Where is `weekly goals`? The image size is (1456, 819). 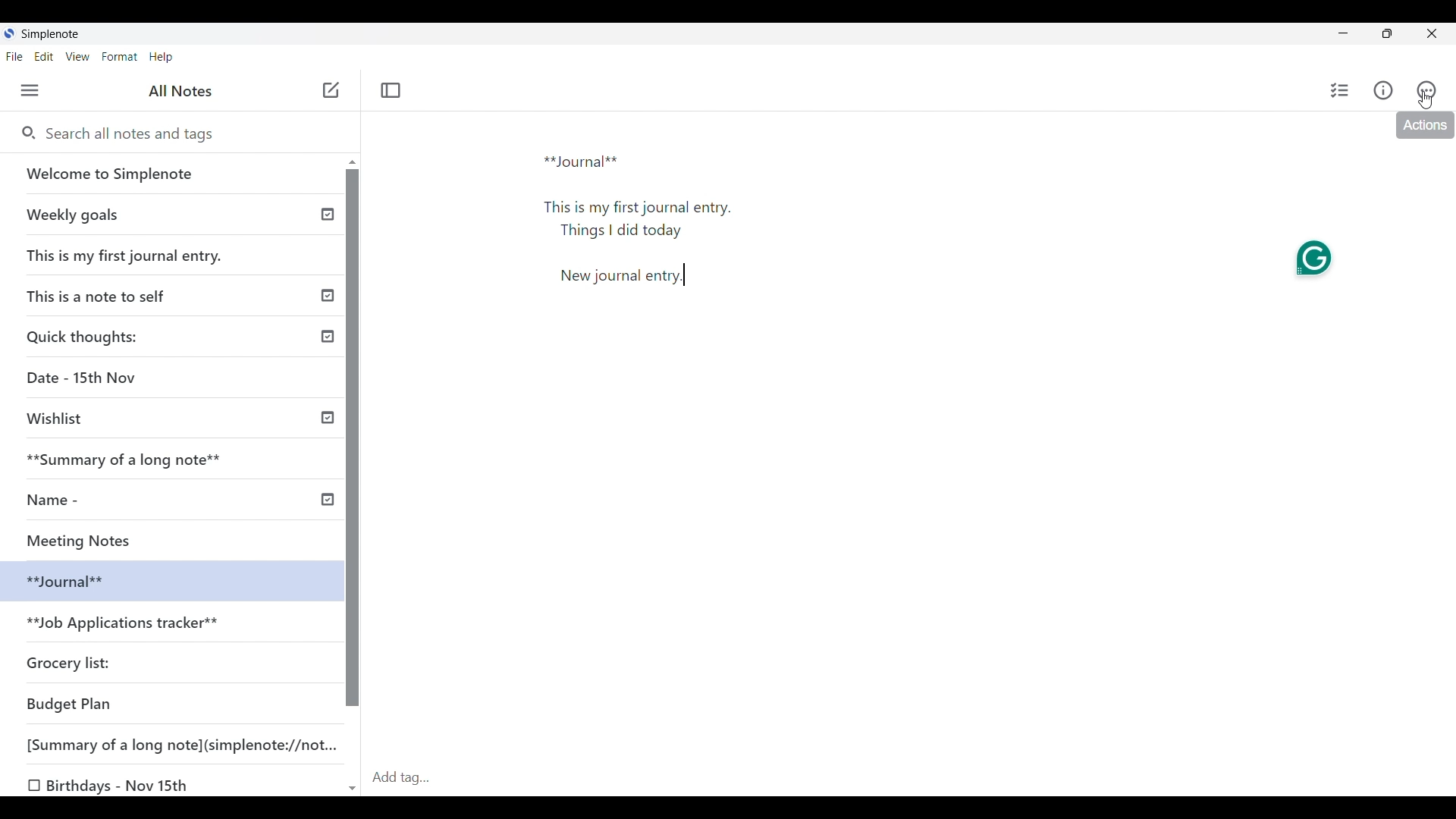
weekly goals is located at coordinates (170, 214).